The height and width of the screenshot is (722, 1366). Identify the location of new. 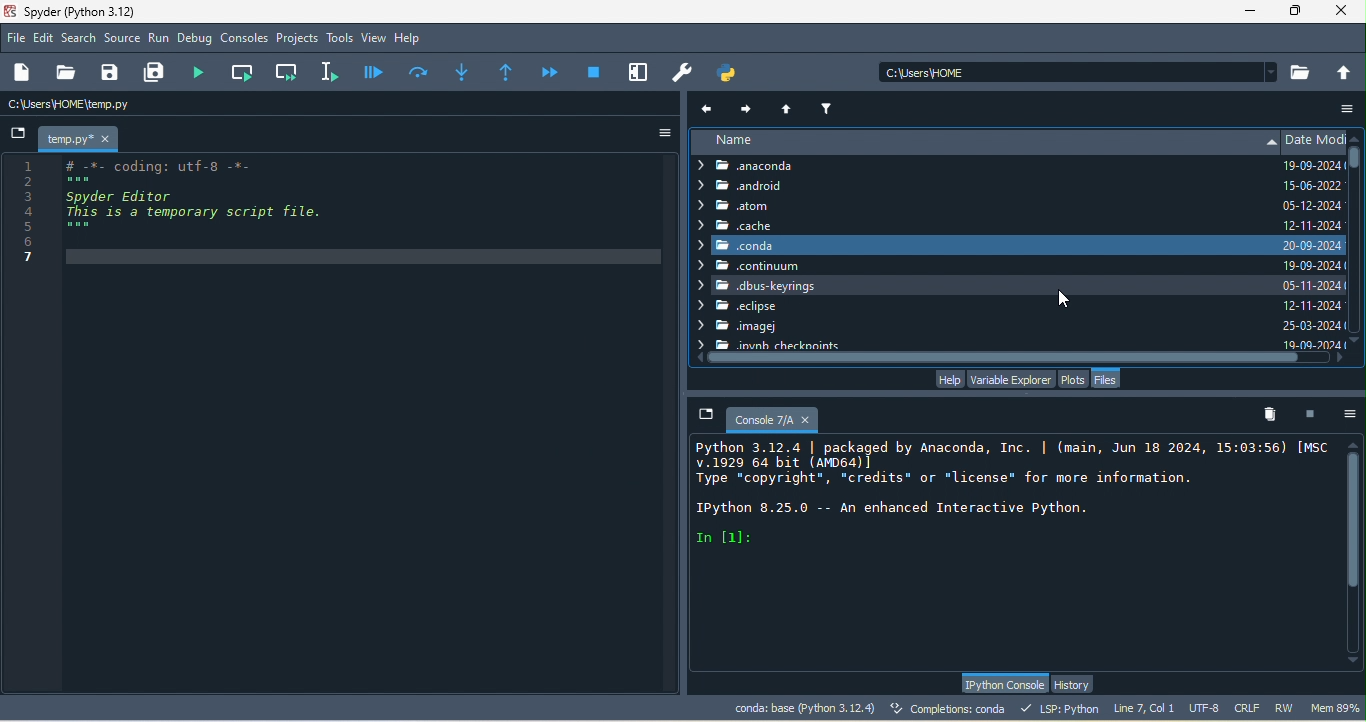
(25, 73).